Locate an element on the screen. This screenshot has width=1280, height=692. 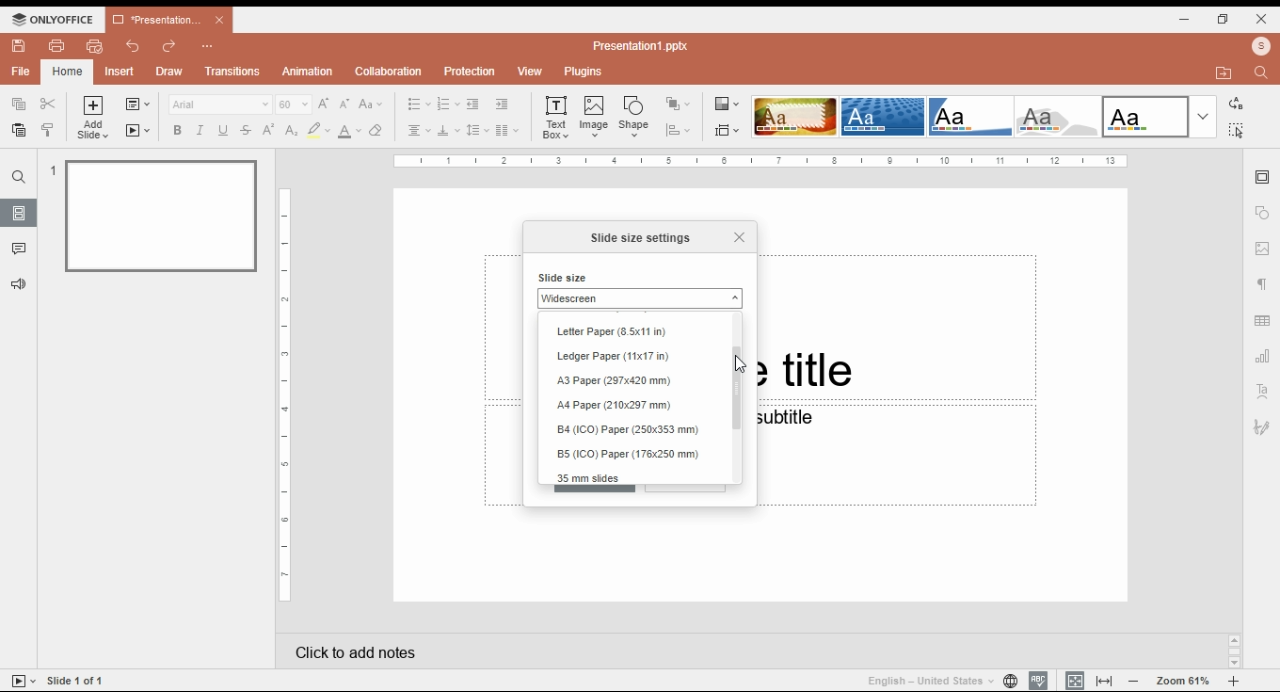
arrange shape is located at coordinates (677, 104).